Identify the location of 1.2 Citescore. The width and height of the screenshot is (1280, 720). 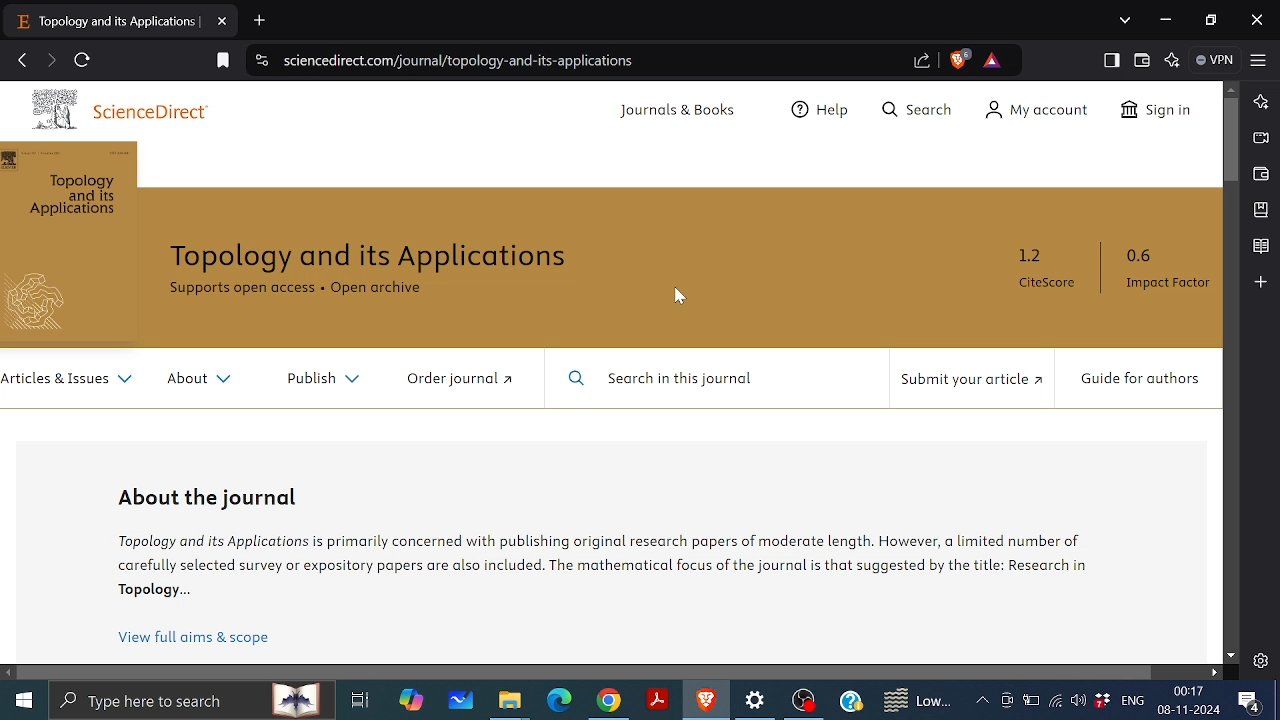
(1053, 272).